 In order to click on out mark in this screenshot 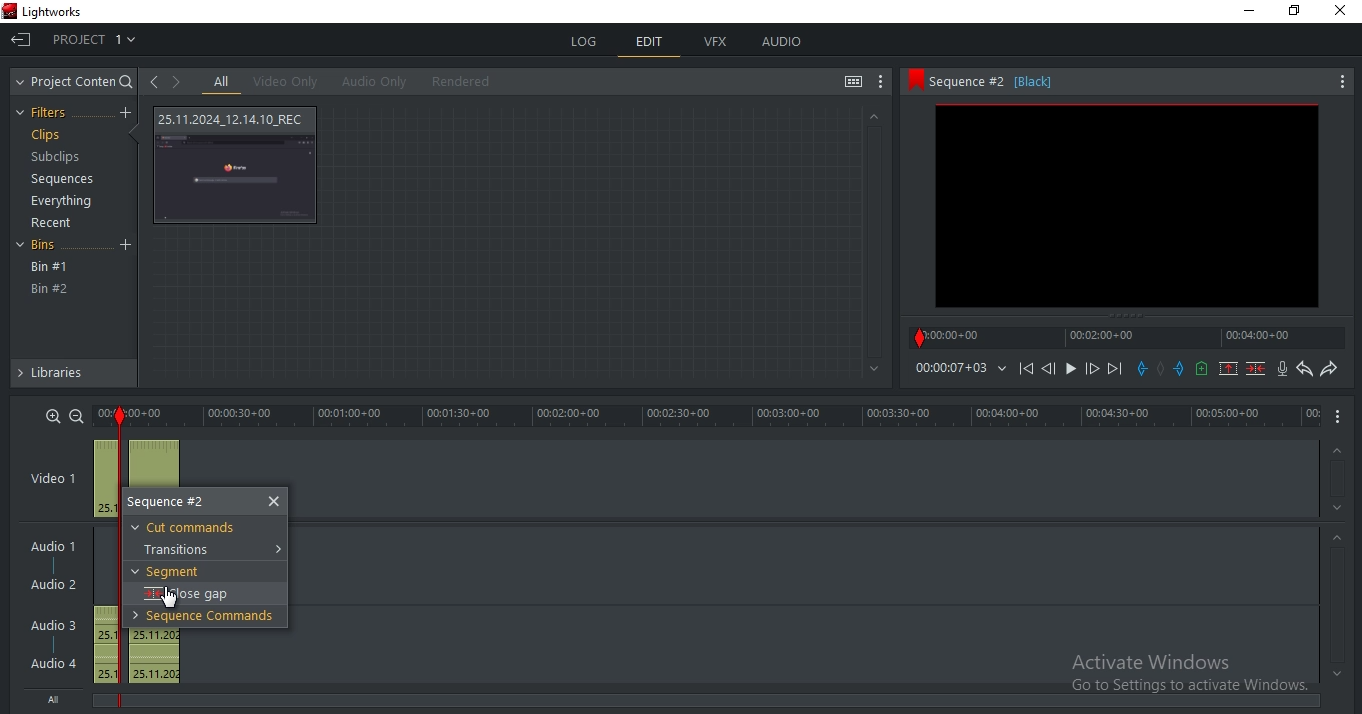, I will do `click(123, 417)`.